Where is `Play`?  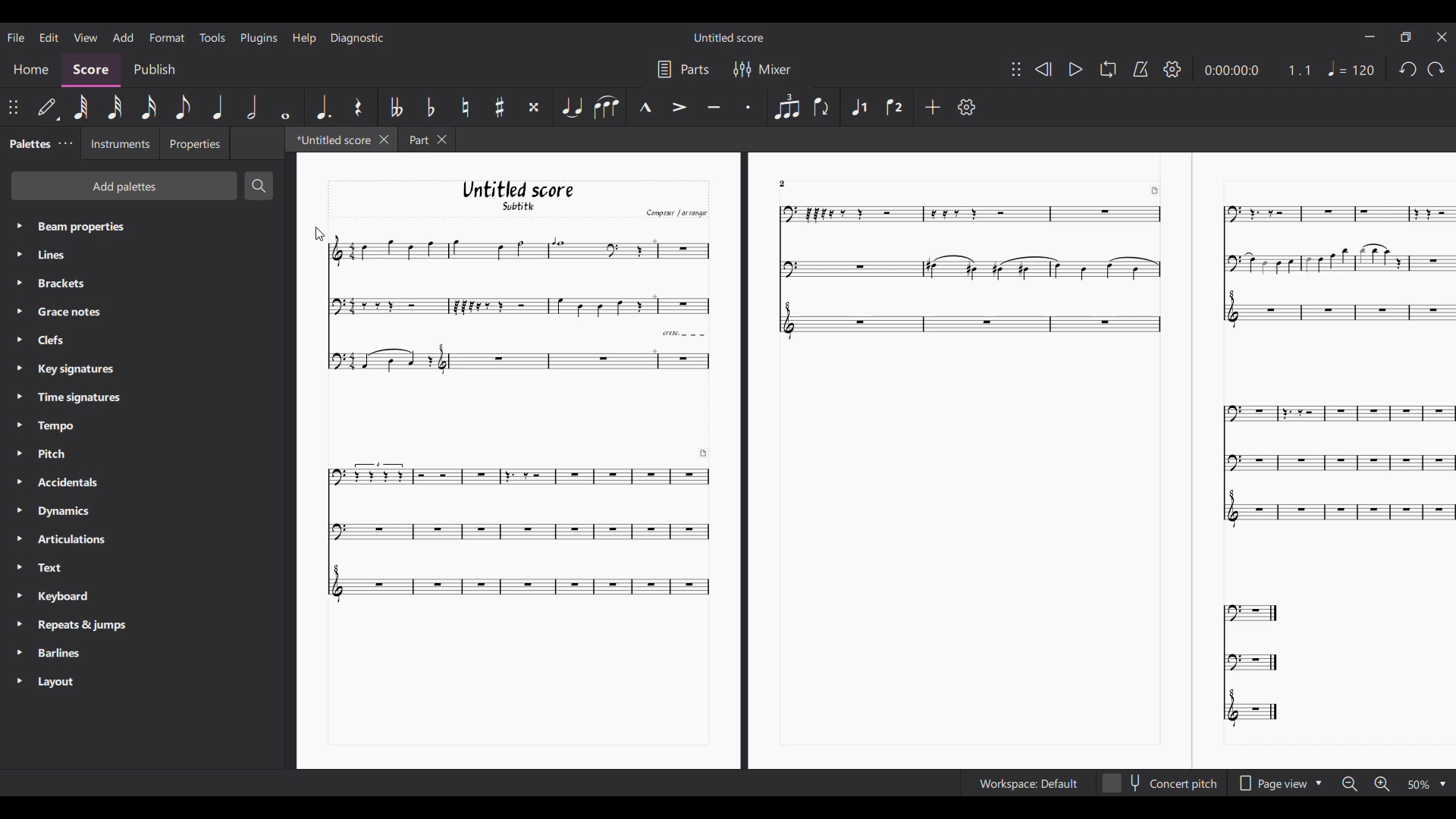 Play is located at coordinates (1075, 70).